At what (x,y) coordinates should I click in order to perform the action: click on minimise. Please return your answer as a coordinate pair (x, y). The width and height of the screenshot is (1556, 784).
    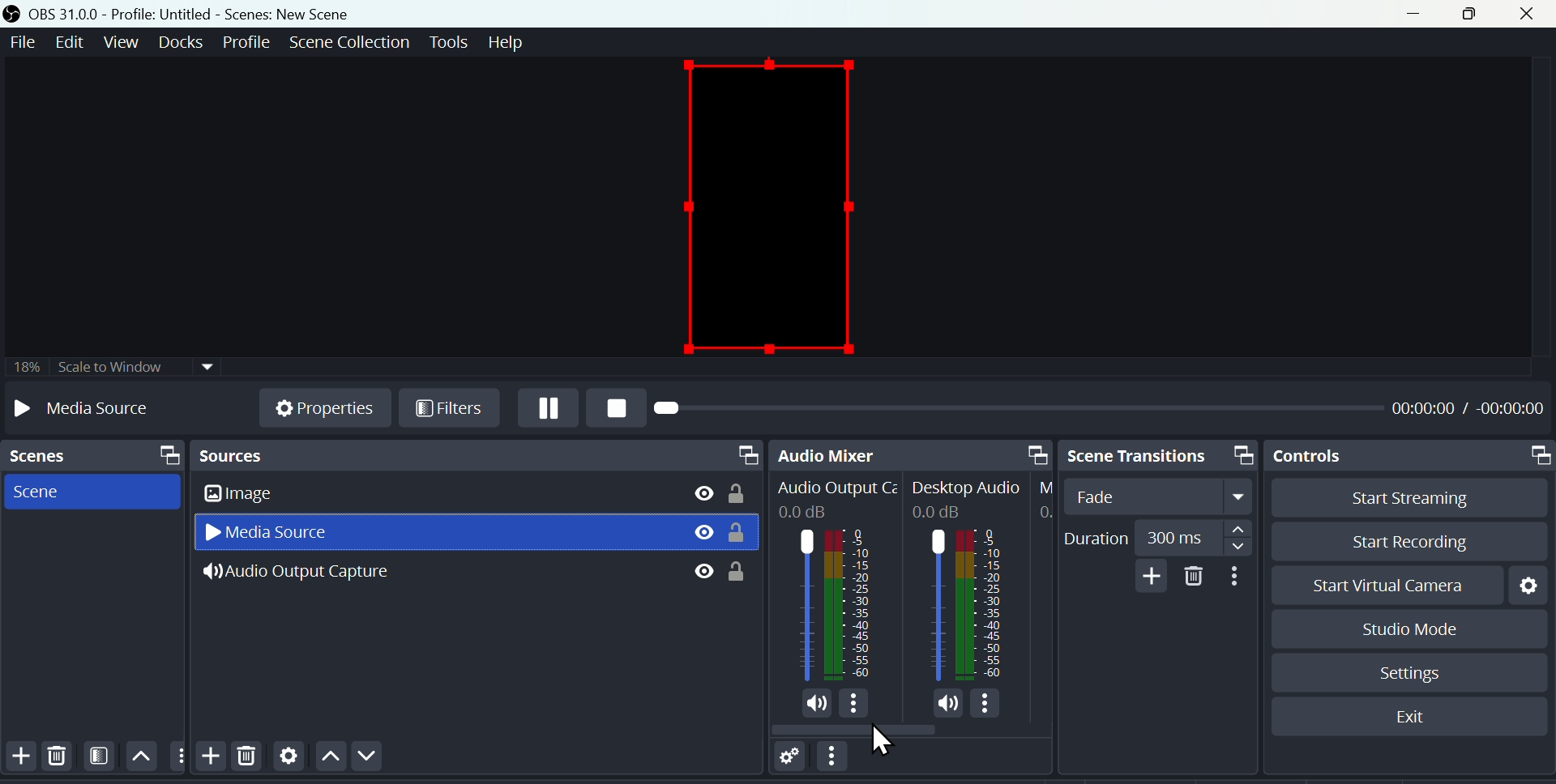
    Looking at the image, I should click on (1422, 13).